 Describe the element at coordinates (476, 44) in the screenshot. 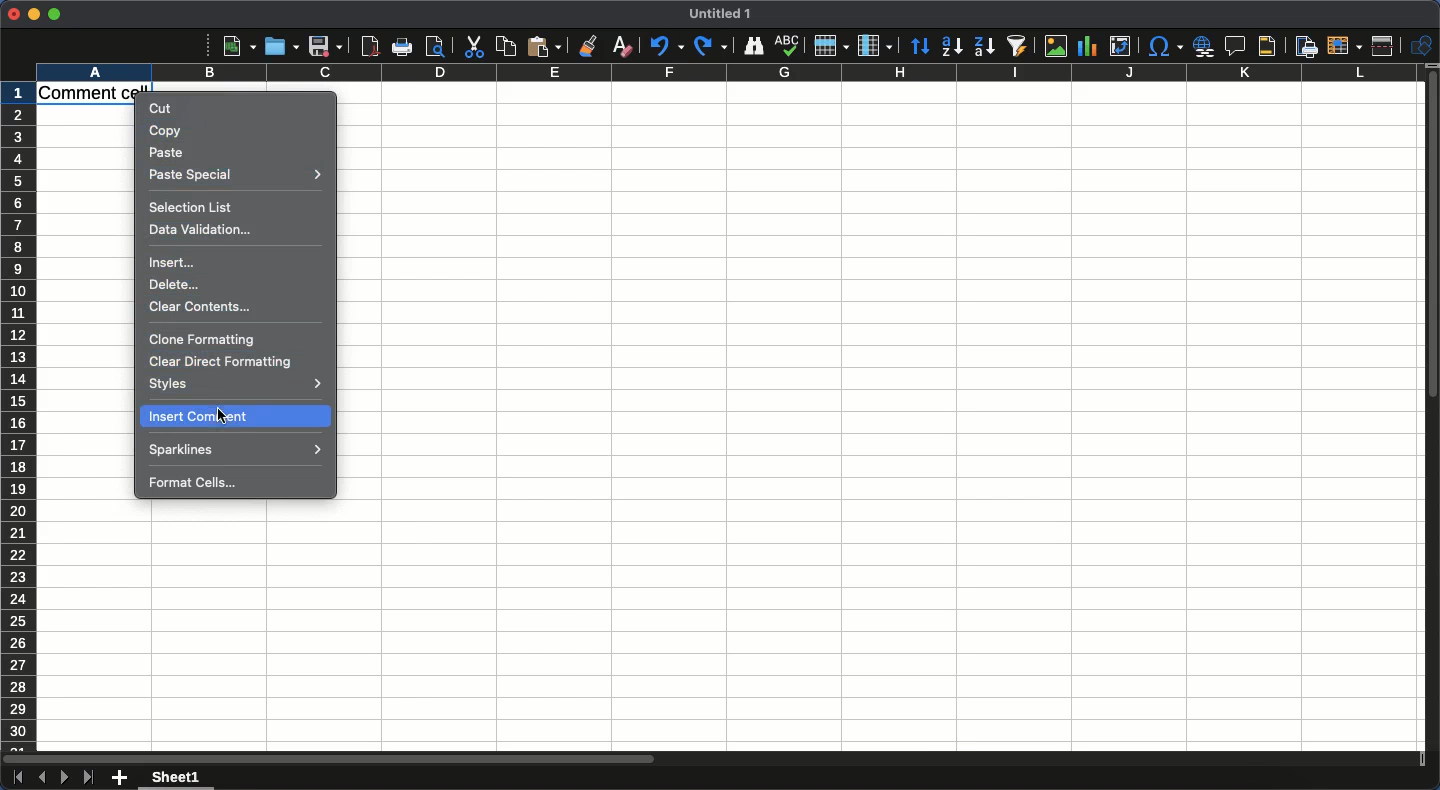

I see `Cut` at that location.